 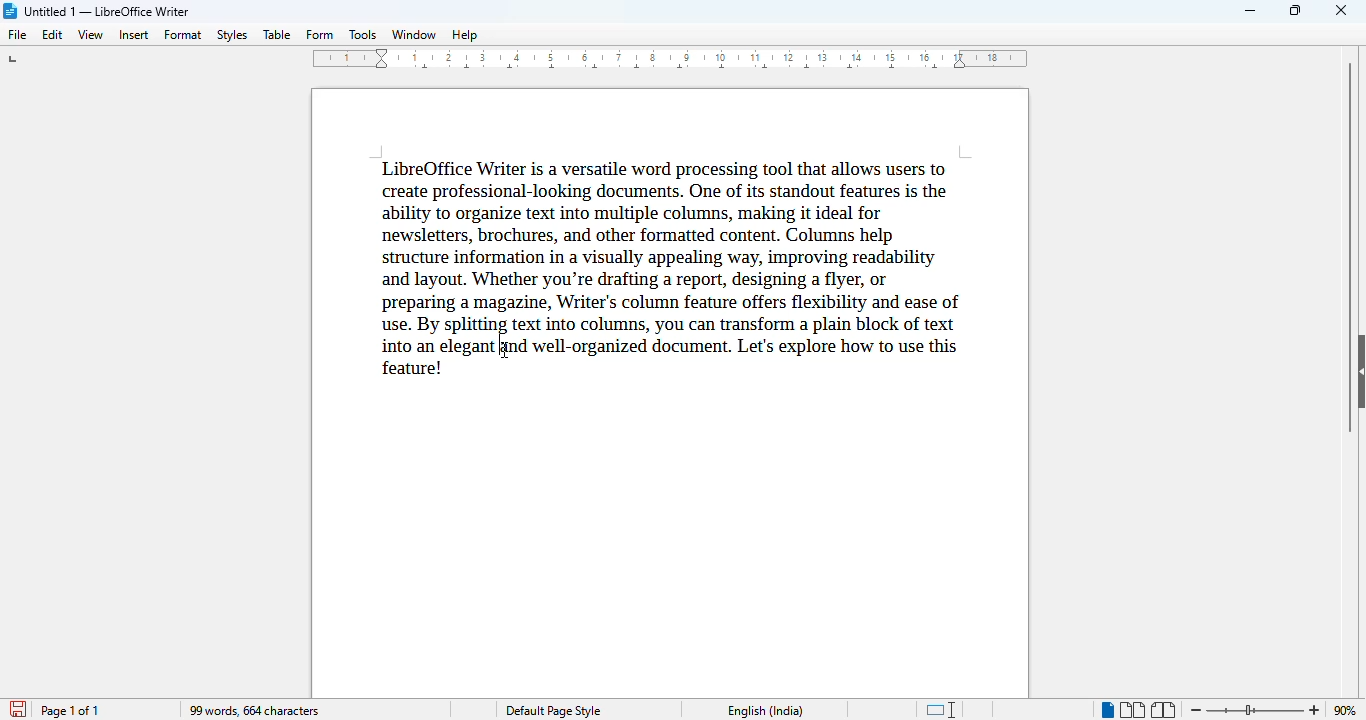 What do you see at coordinates (1349, 708) in the screenshot?
I see `90% (current zoom level)` at bounding box center [1349, 708].